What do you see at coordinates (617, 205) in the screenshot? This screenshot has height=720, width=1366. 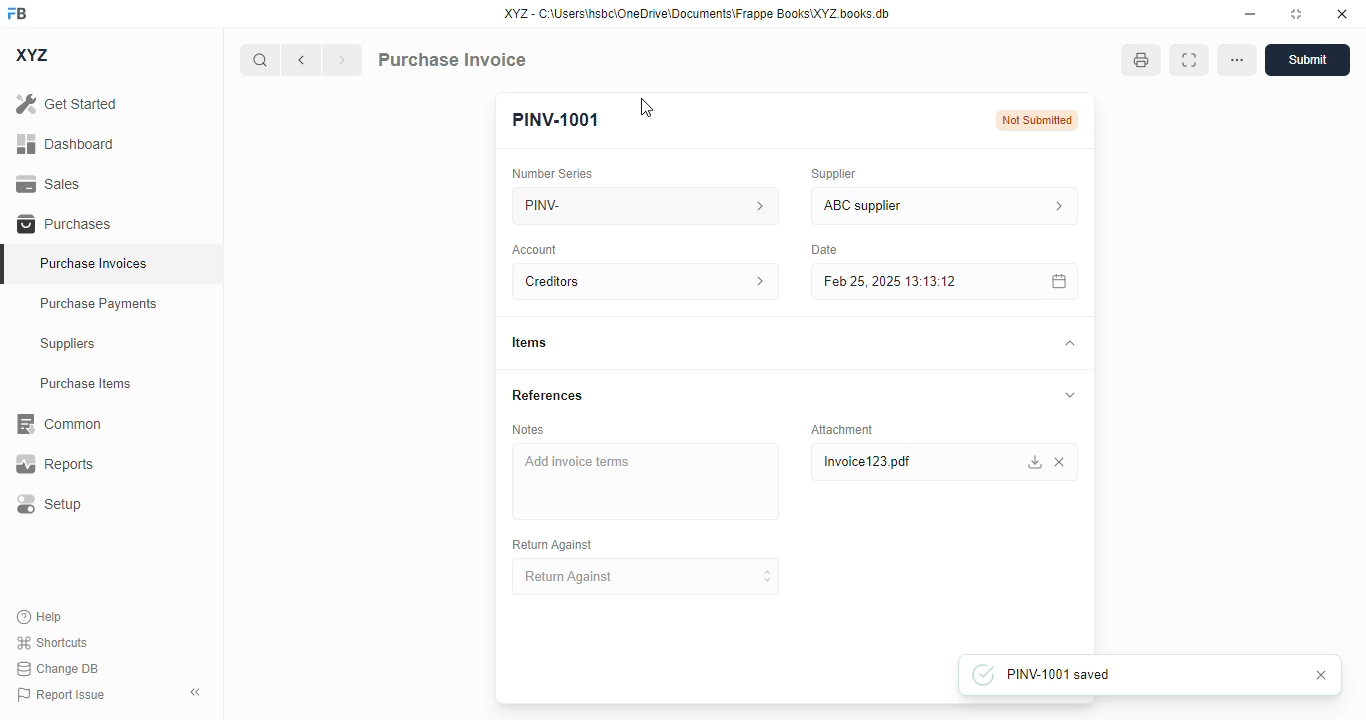 I see `PINV-` at bounding box center [617, 205].